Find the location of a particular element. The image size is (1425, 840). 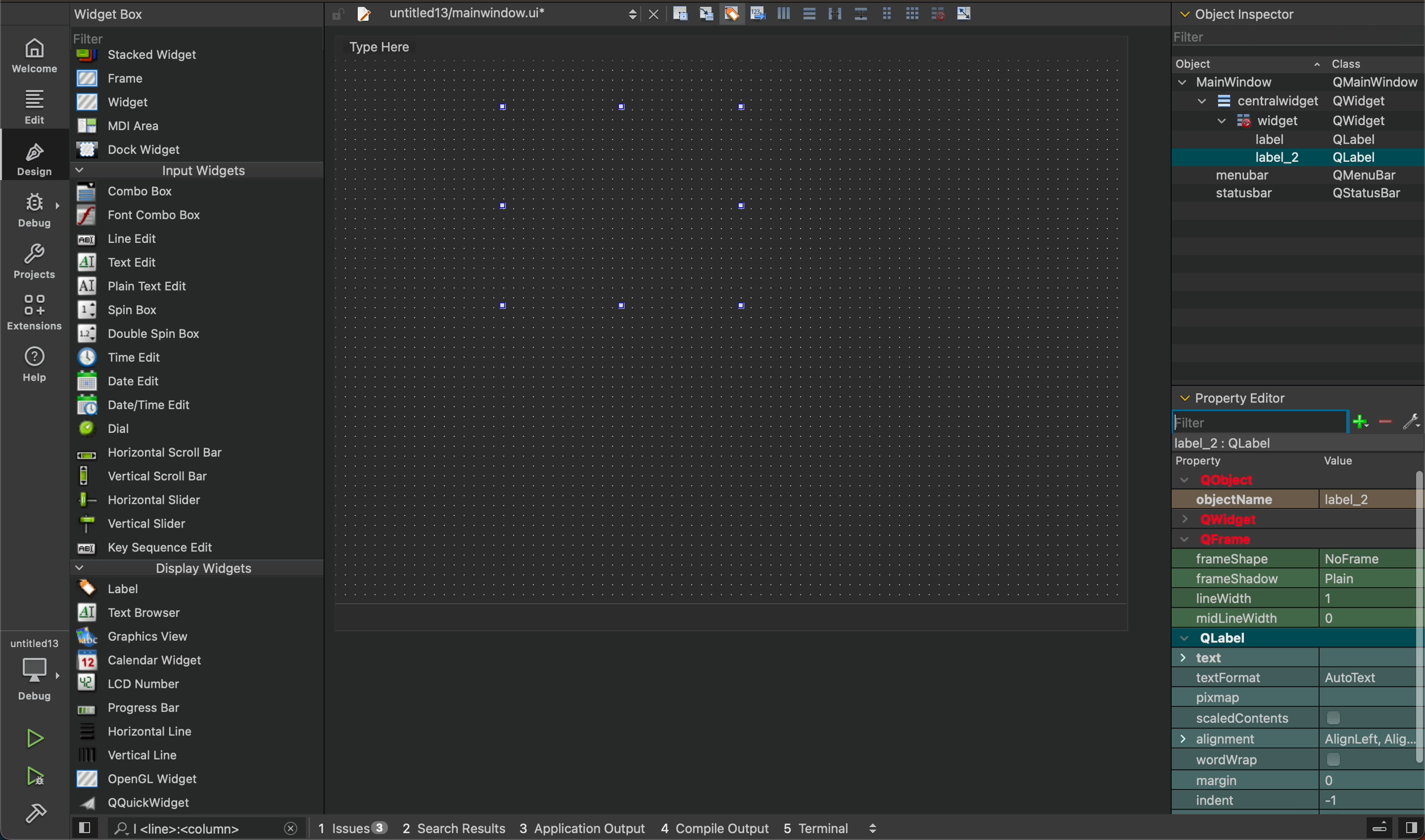

projects is located at coordinates (33, 259).